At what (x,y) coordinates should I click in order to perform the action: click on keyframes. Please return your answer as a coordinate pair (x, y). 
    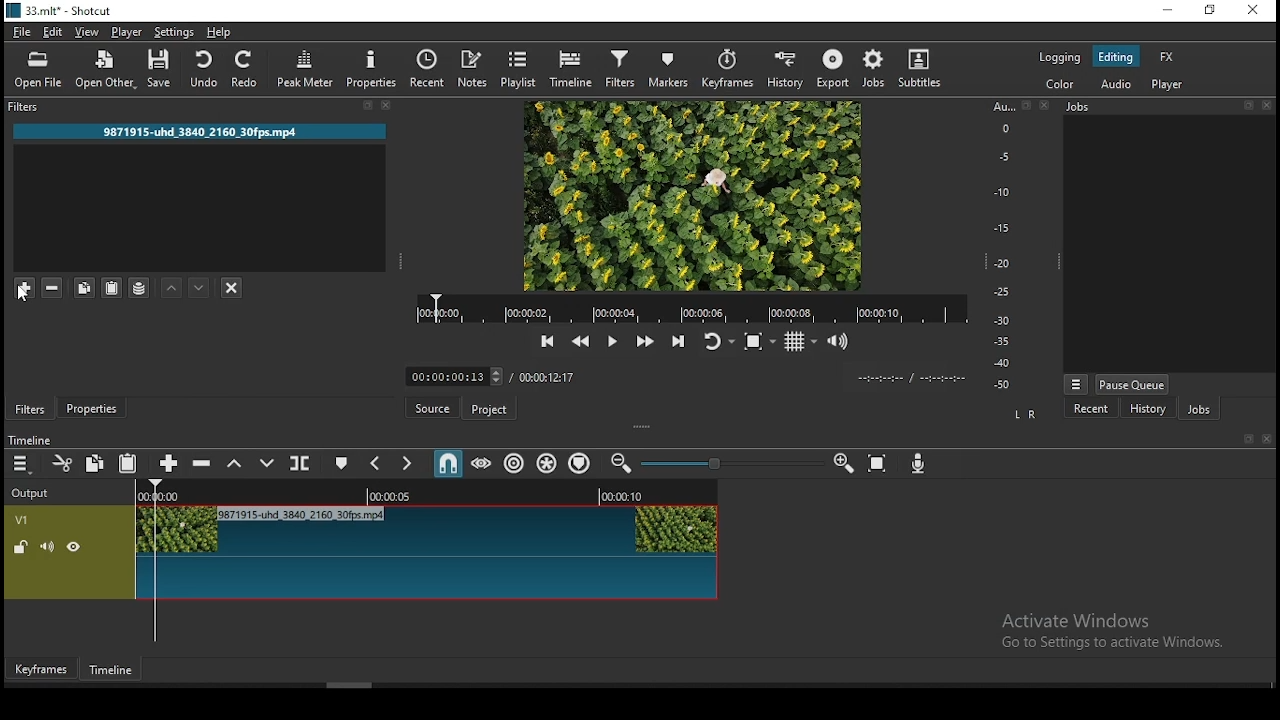
    Looking at the image, I should click on (727, 68).